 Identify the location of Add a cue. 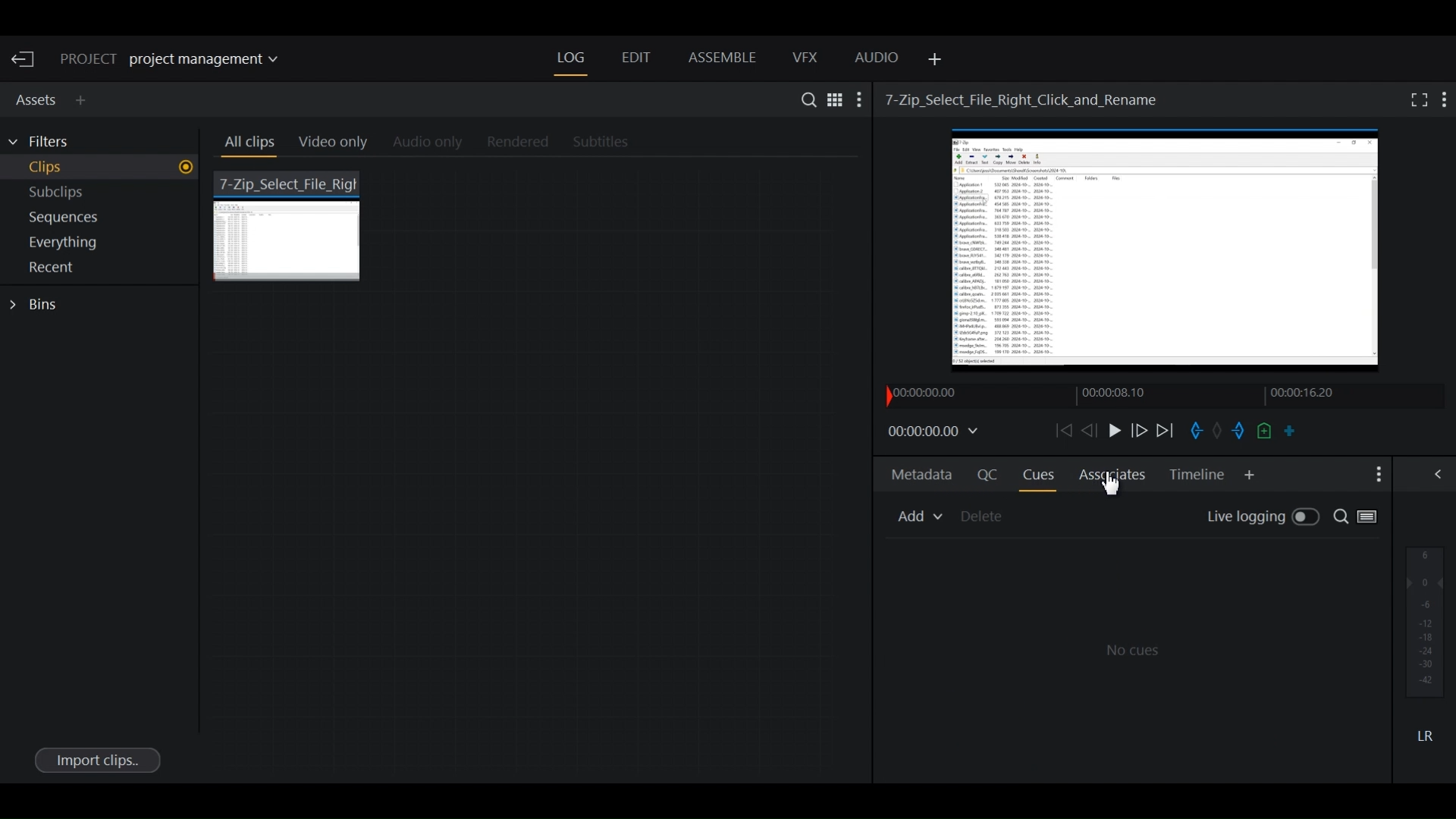
(1264, 431).